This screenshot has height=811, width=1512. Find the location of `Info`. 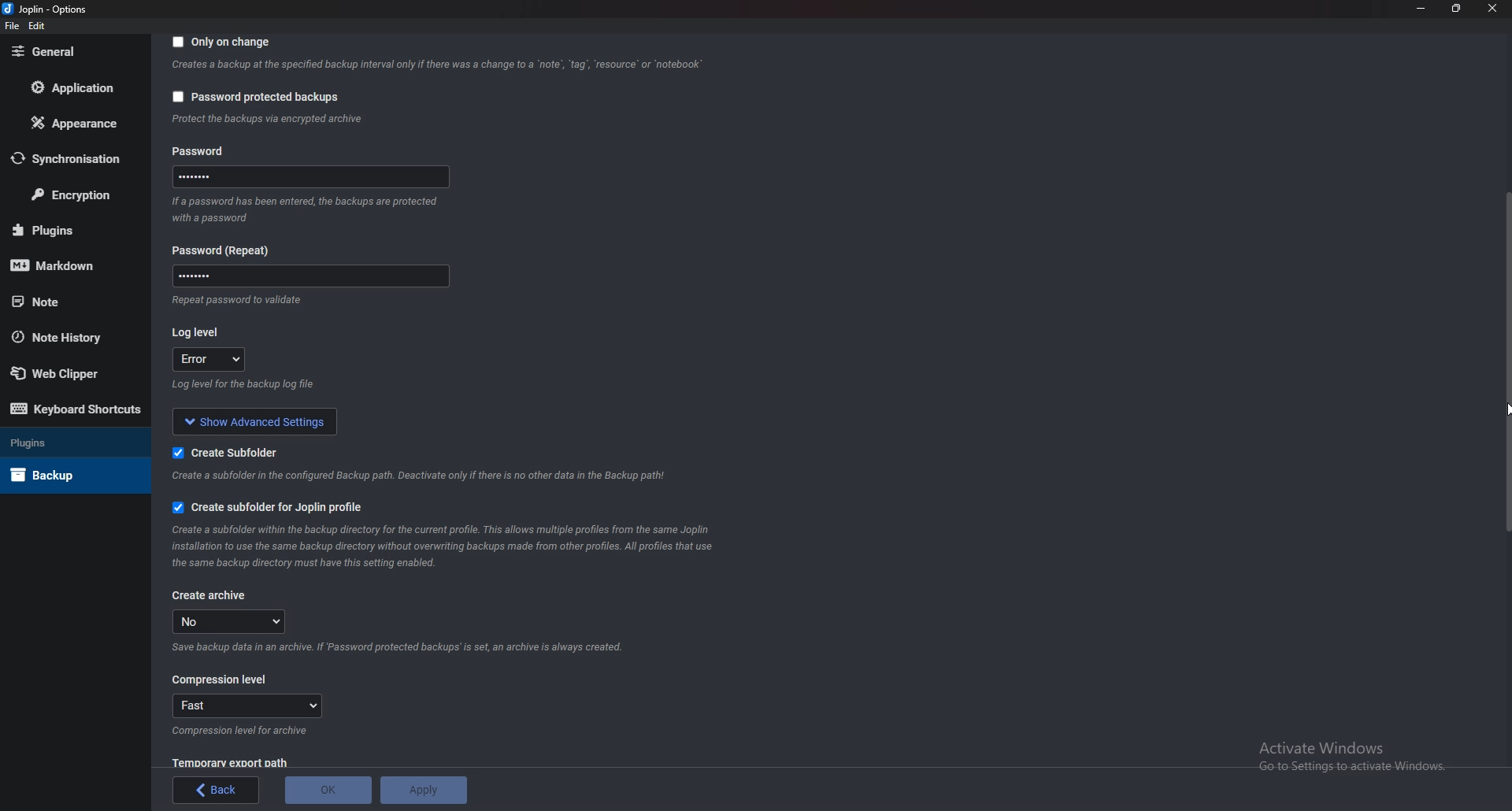

Info is located at coordinates (242, 731).